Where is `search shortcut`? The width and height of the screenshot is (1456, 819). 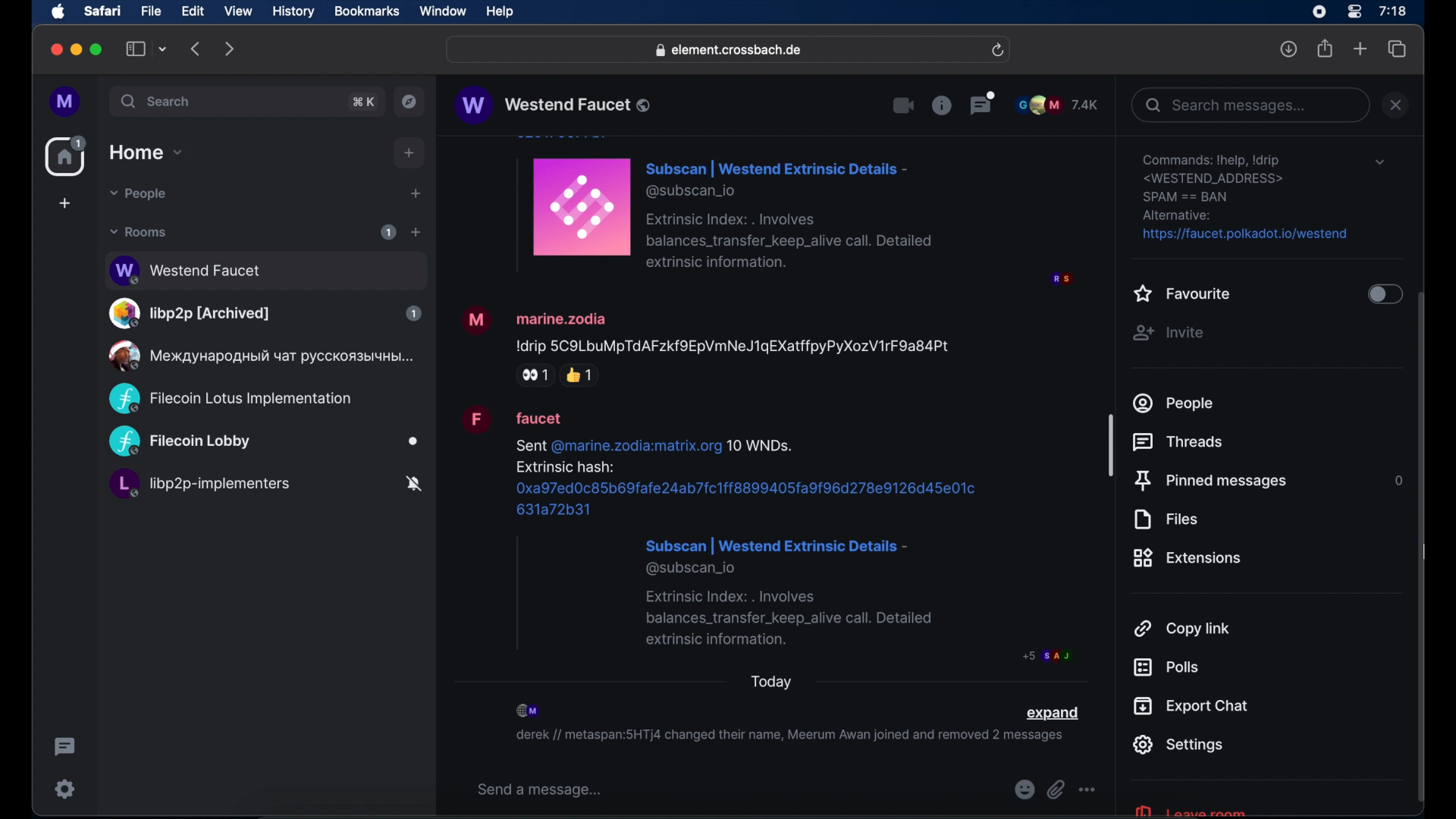
search shortcut is located at coordinates (365, 102).